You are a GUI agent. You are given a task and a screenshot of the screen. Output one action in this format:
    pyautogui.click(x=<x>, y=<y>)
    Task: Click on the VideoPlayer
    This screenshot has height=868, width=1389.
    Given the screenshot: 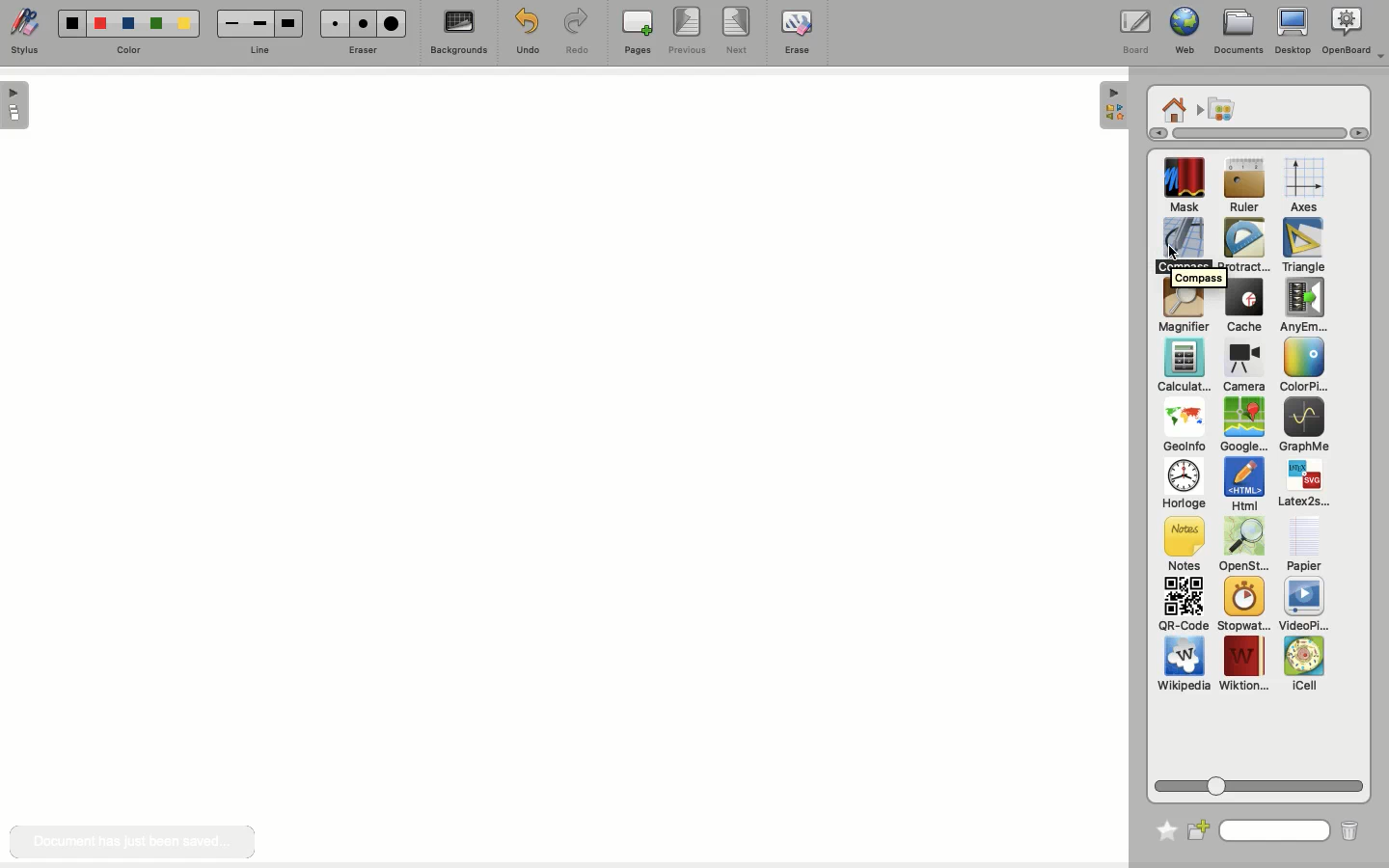 What is the action you would take?
    pyautogui.click(x=1304, y=605)
    